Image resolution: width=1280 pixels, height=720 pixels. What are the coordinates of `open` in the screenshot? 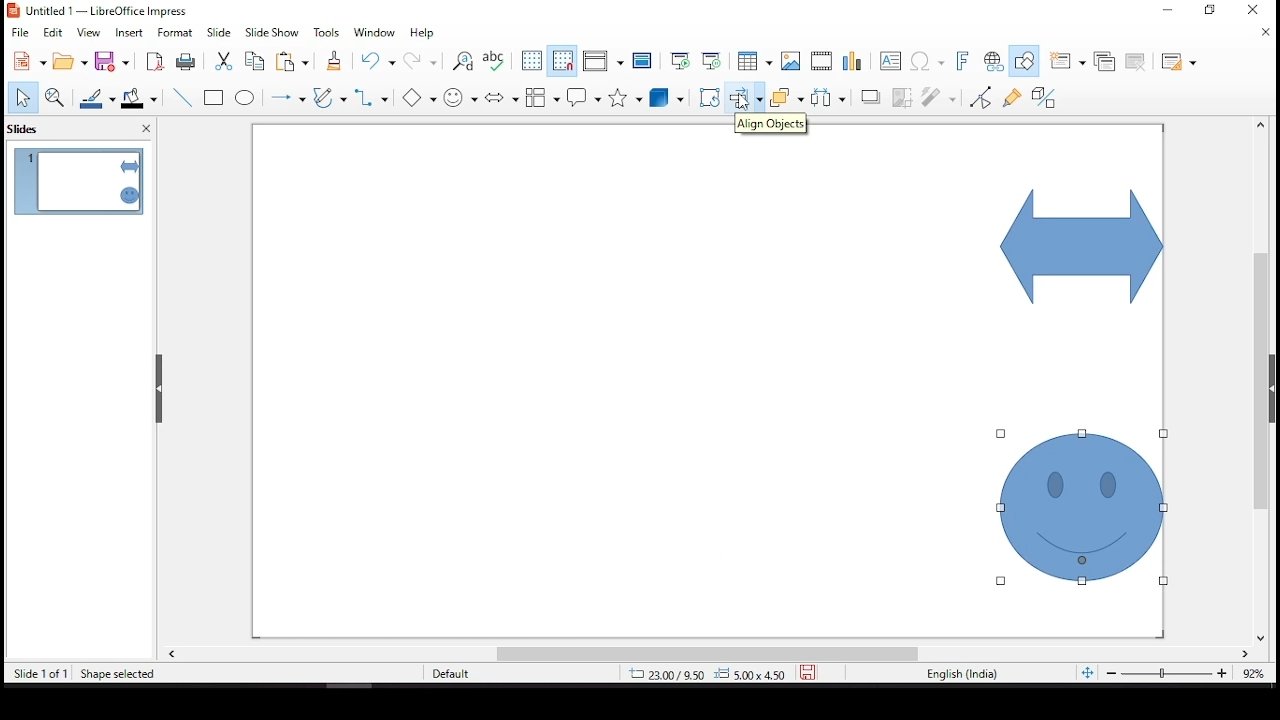 It's located at (71, 62).